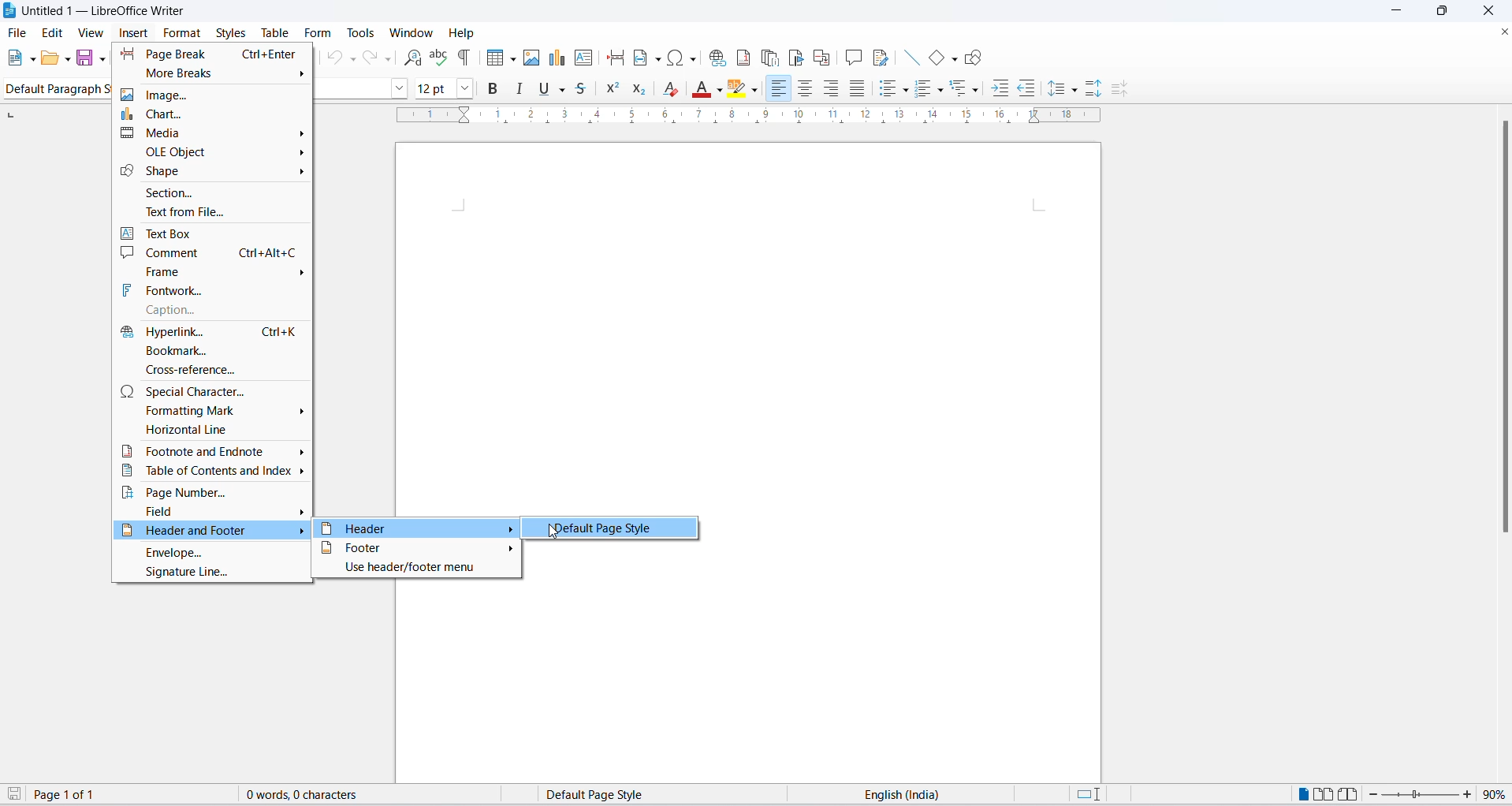 This screenshot has height=806, width=1512. I want to click on insert text, so click(583, 58).